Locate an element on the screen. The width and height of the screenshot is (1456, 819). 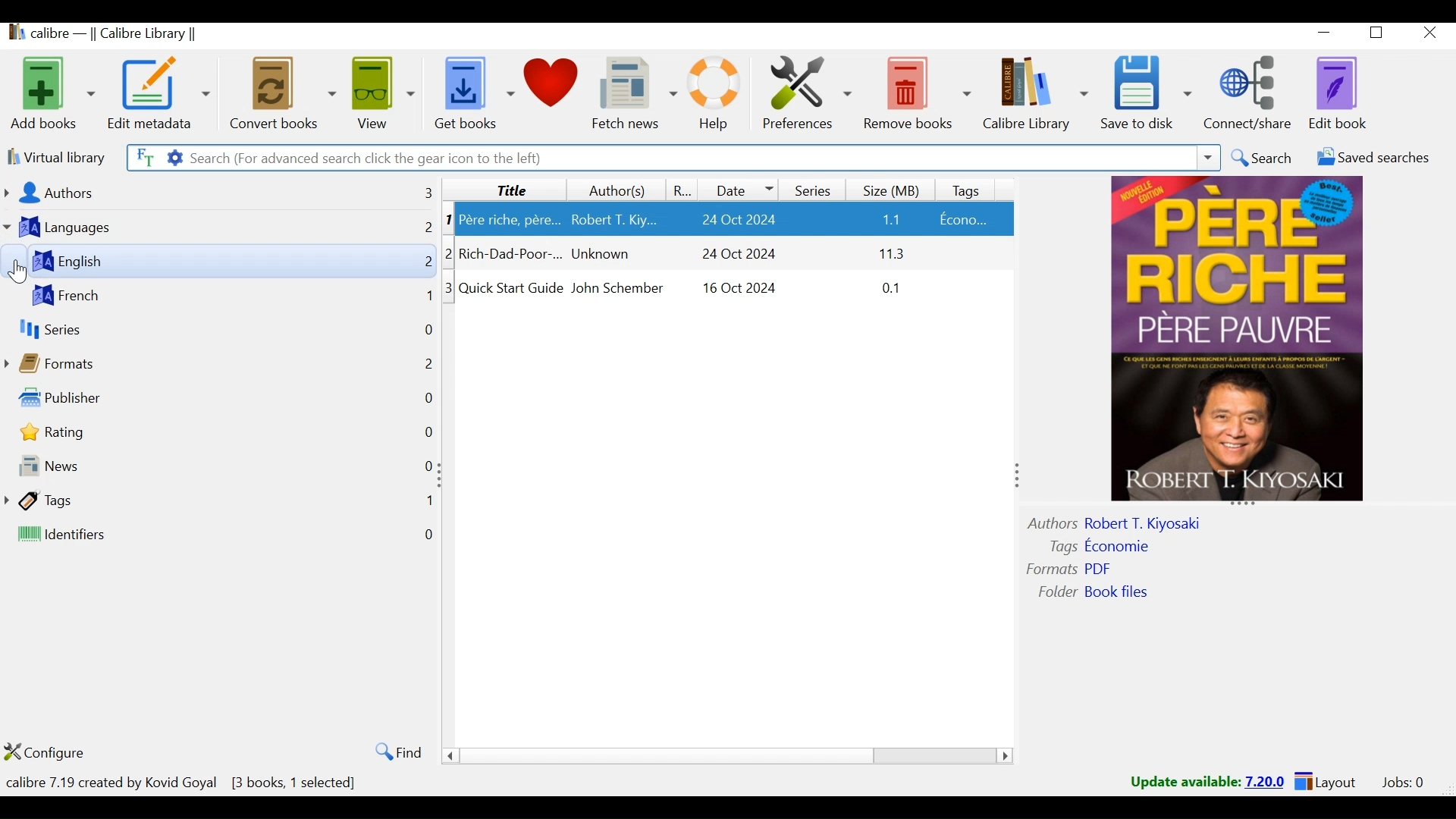
Size (MB) is located at coordinates (894, 188).